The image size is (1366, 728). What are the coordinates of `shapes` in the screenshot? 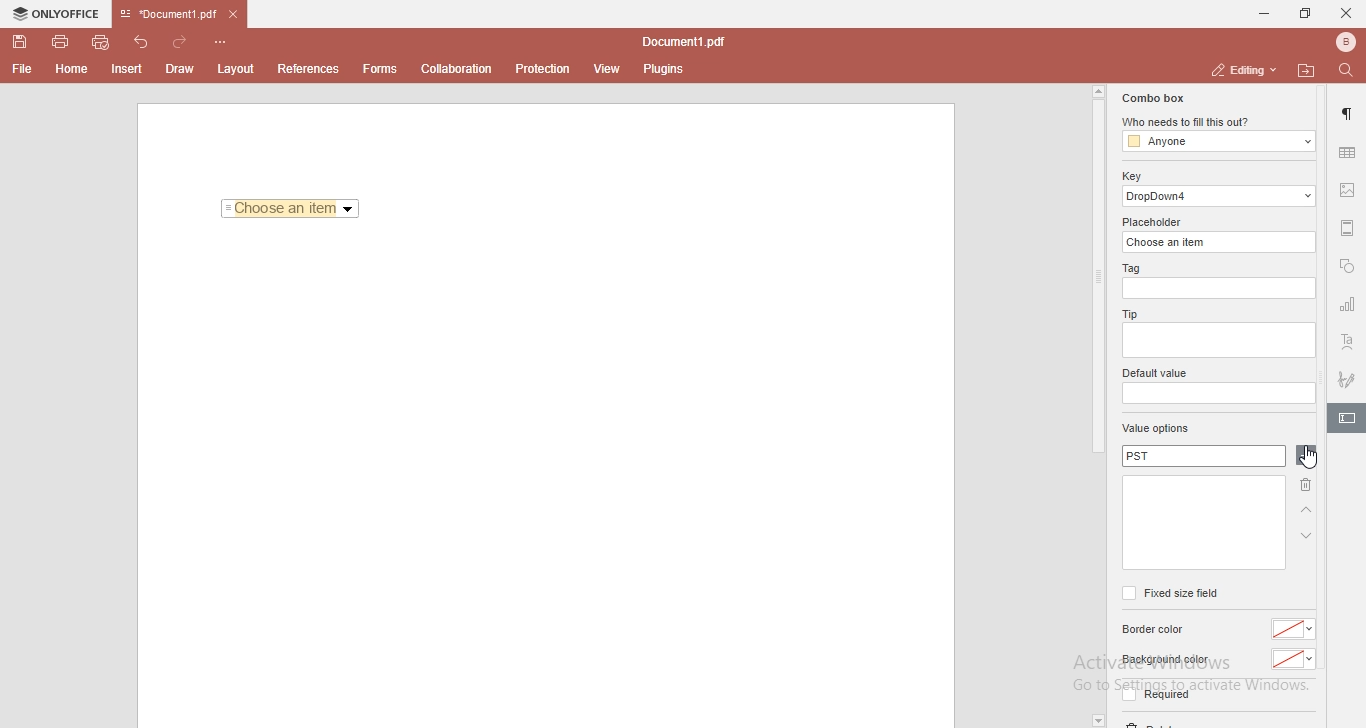 It's located at (1347, 268).